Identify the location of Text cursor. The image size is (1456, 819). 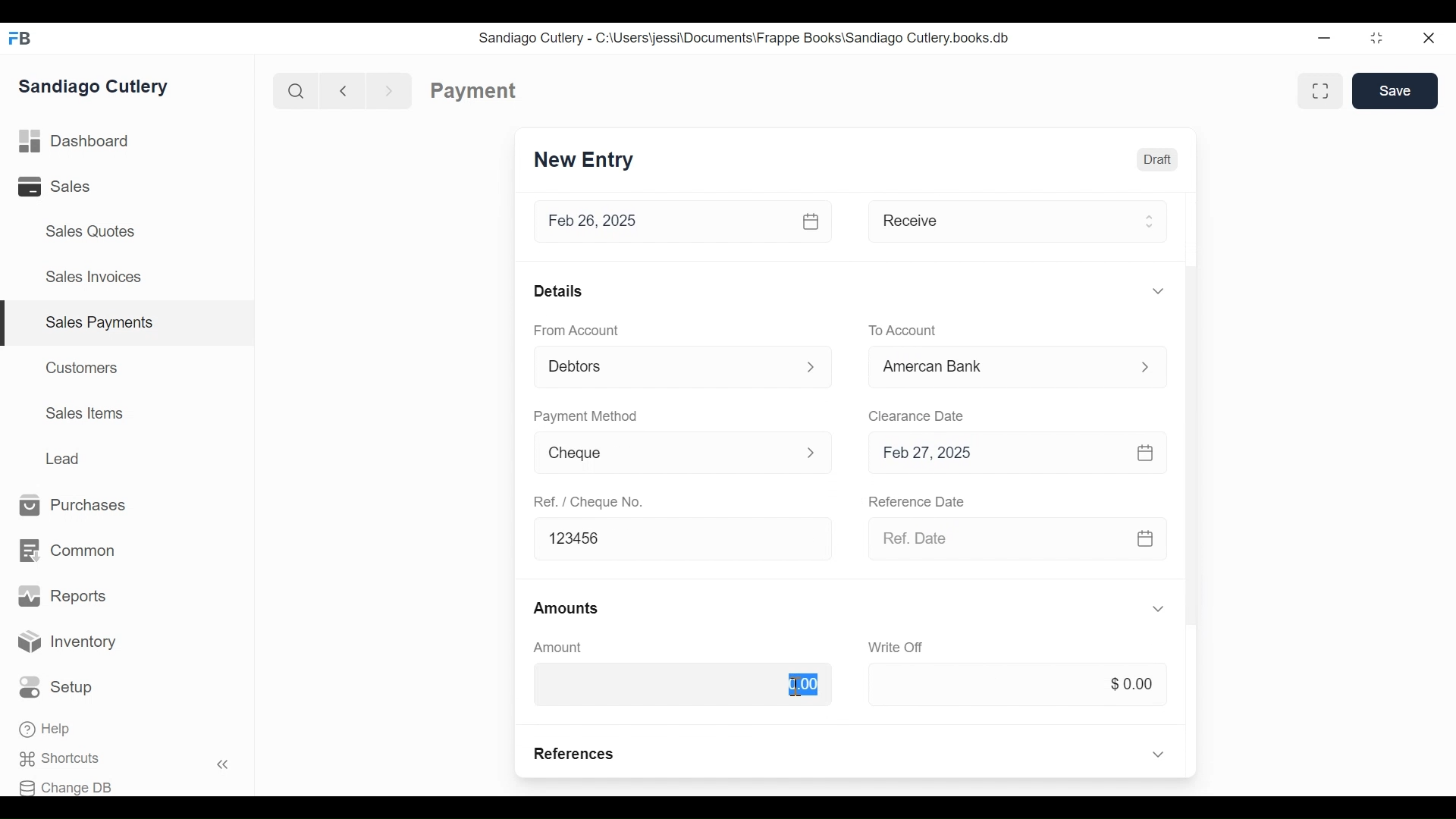
(795, 686).